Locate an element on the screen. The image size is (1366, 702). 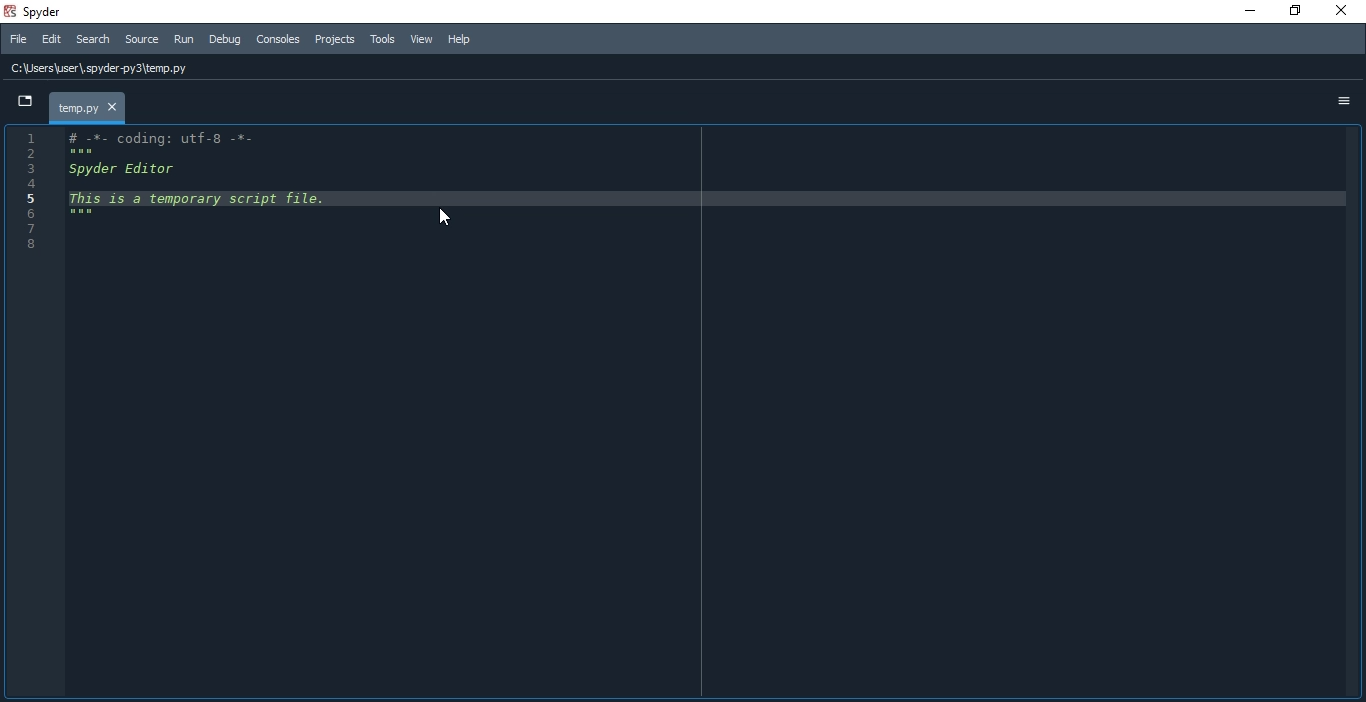
options is located at coordinates (1342, 100).